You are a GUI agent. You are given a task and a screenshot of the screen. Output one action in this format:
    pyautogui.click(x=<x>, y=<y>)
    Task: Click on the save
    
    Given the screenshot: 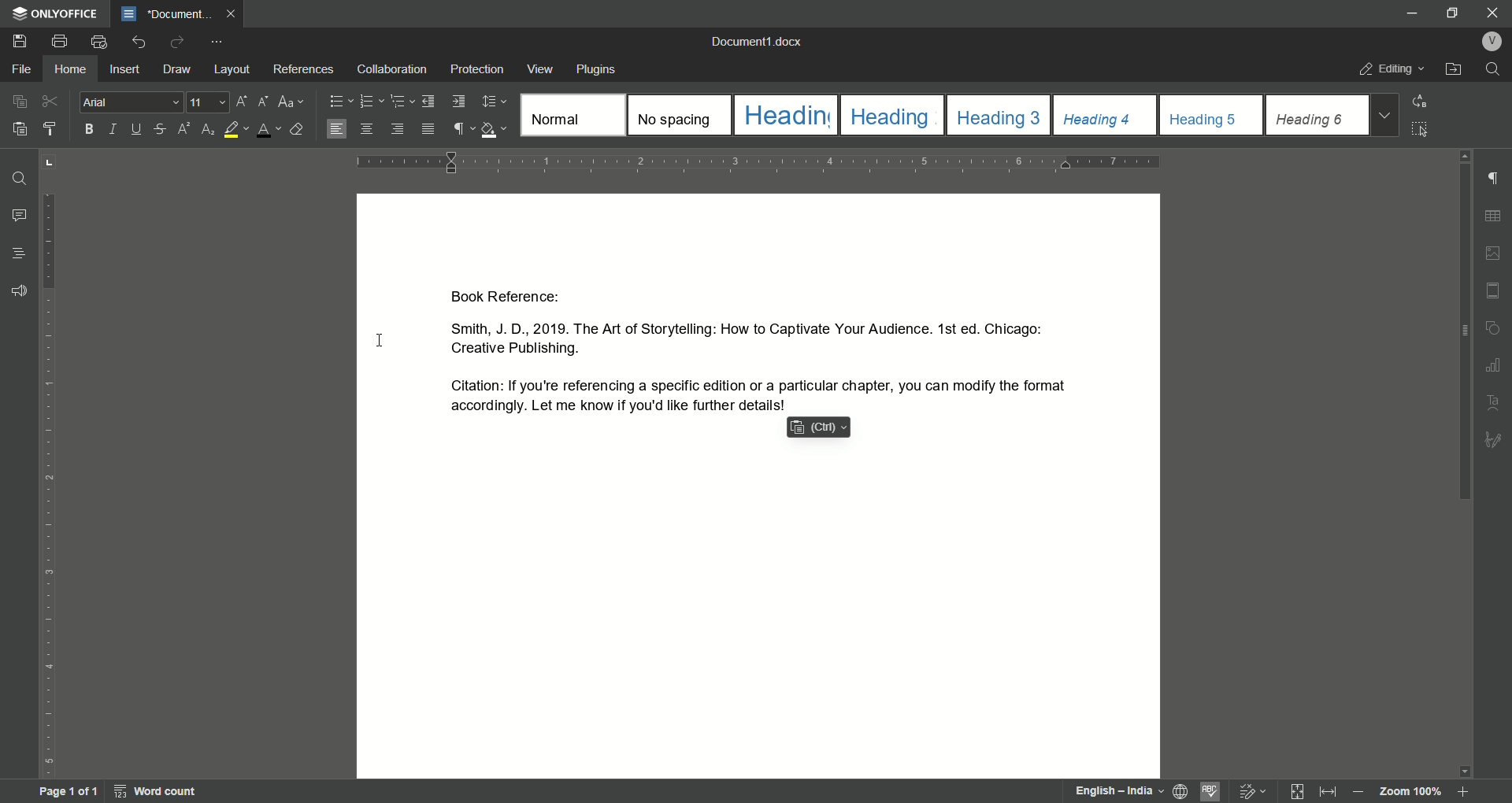 What is the action you would take?
    pyautogui.click(x=20, y=41)
    